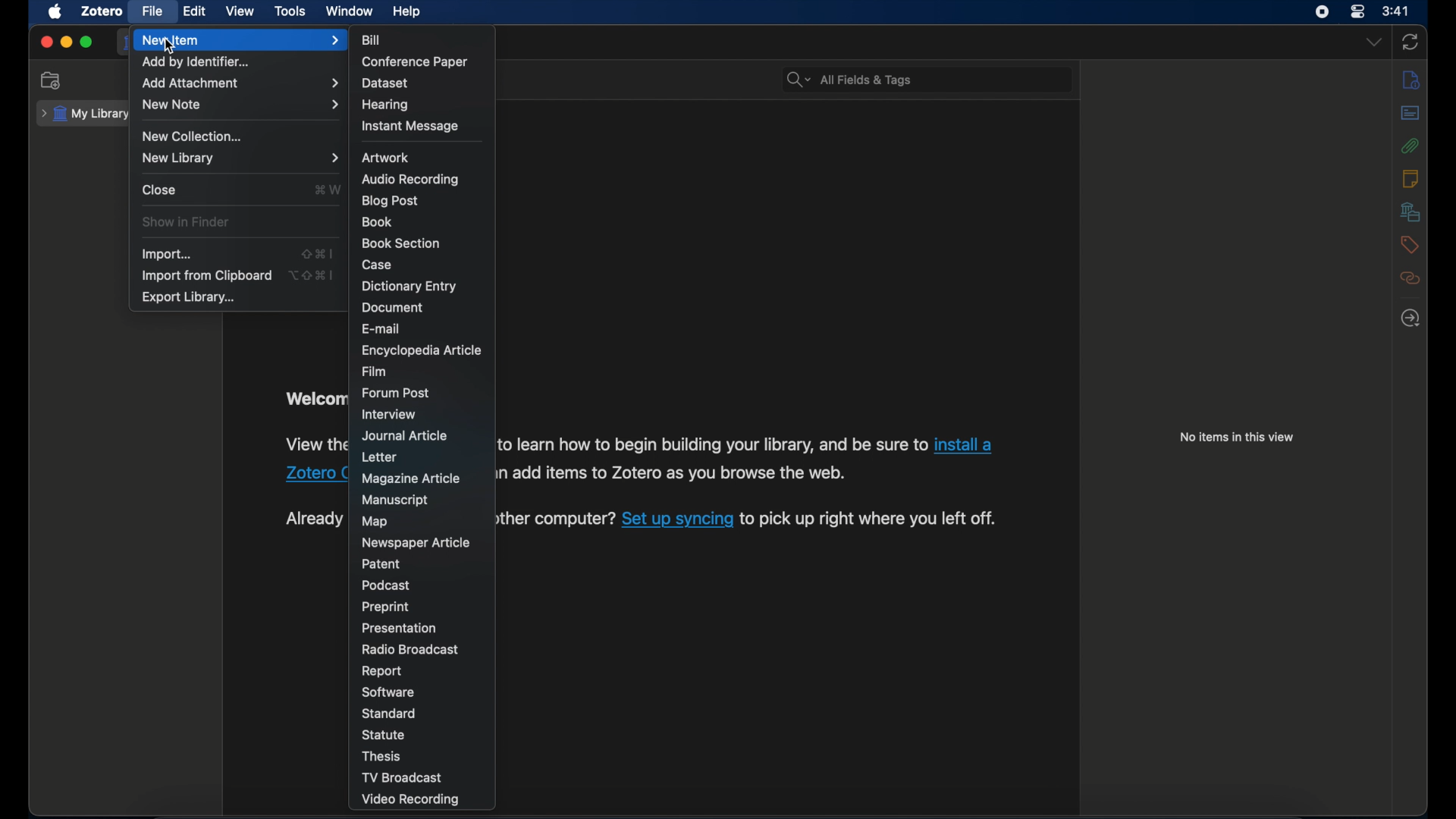  What do you see at coordinates (376, 372) in the screenshot?
I see `film` at bounding box center [376, 372].